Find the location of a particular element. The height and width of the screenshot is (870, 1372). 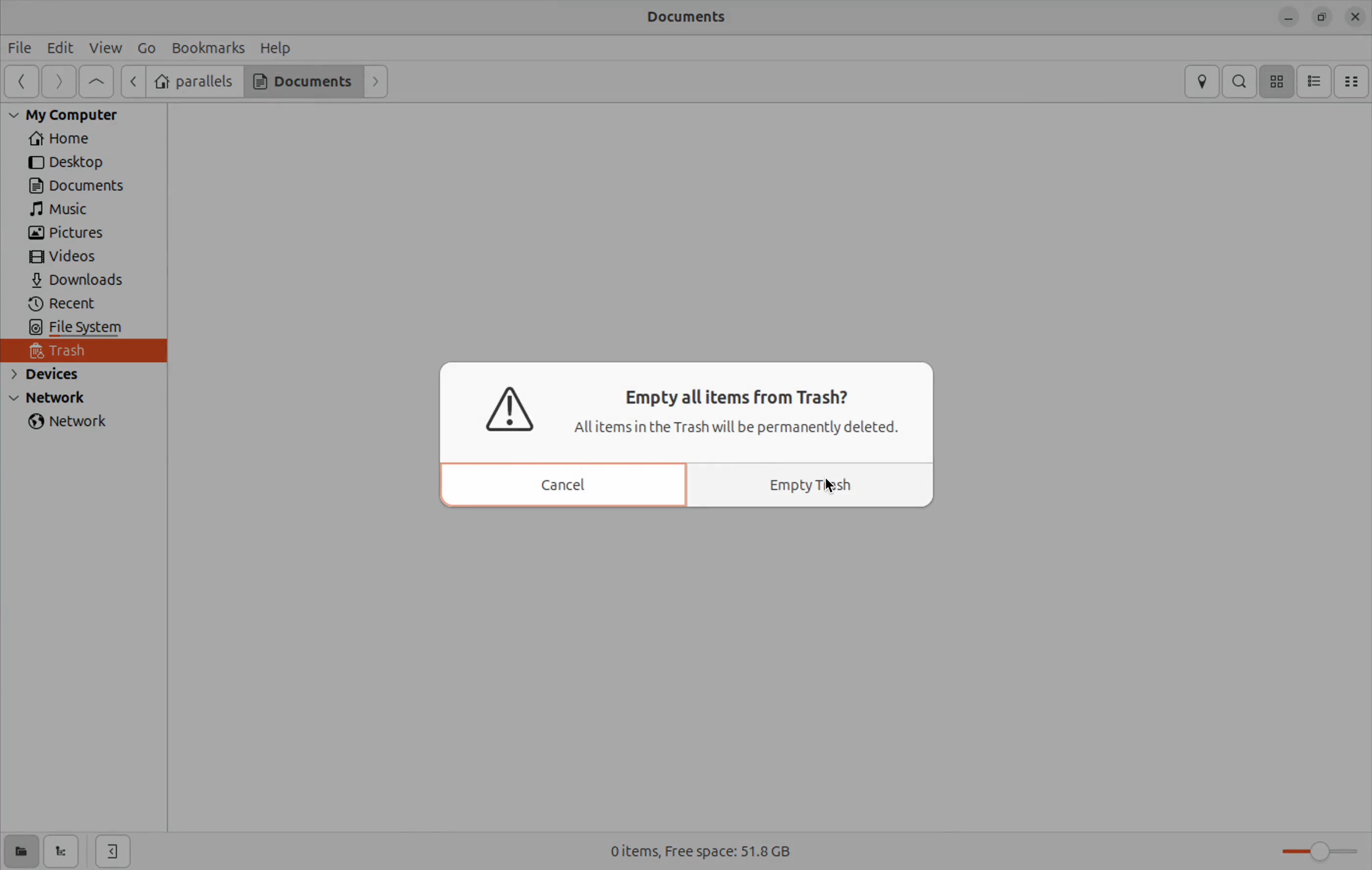

Edit is located at coordinates (59, 47).